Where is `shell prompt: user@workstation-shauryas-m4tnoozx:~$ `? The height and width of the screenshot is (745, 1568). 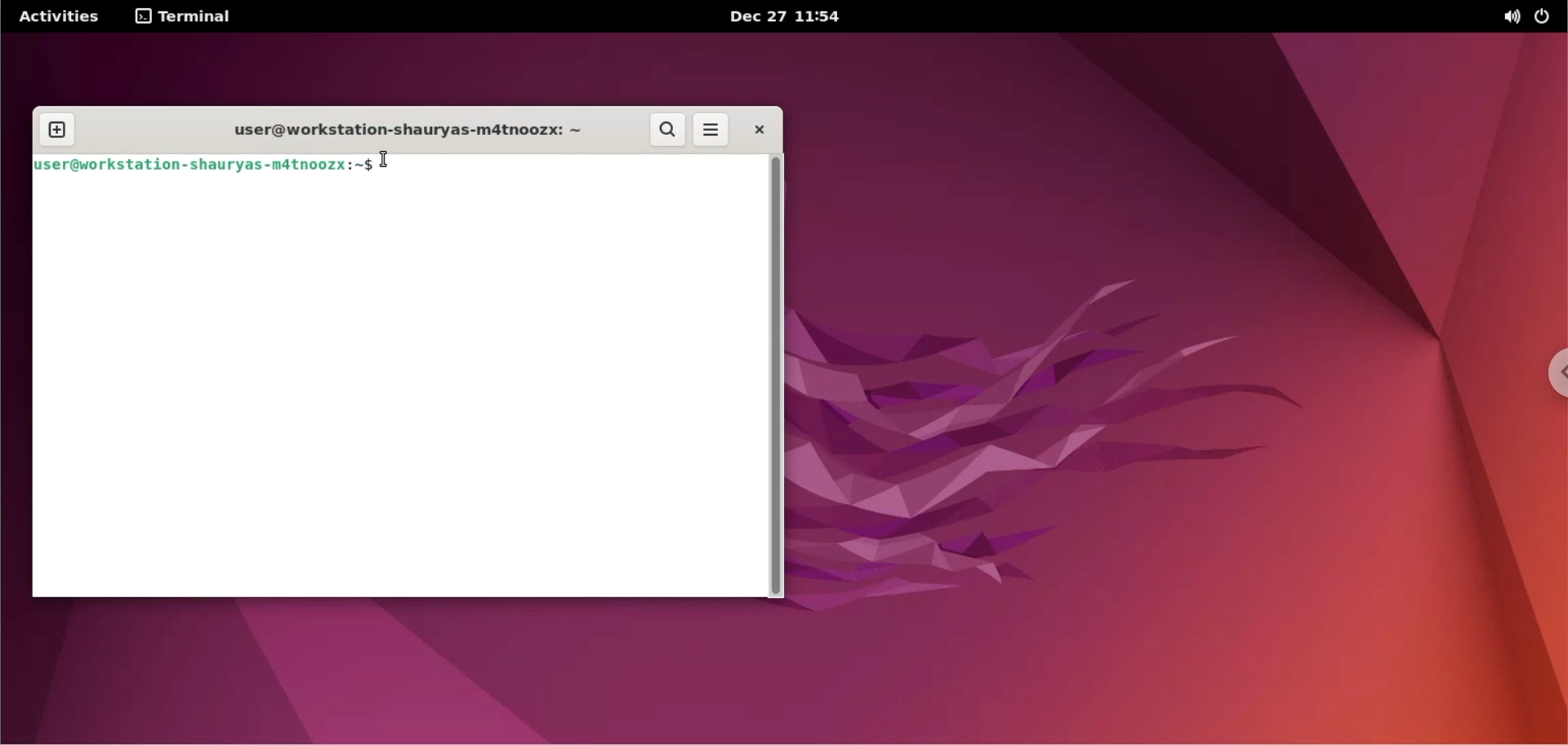
shell prompt: user@workstation-shauryas-m4tnoozx:~$  is located at coordinates (204, 165).